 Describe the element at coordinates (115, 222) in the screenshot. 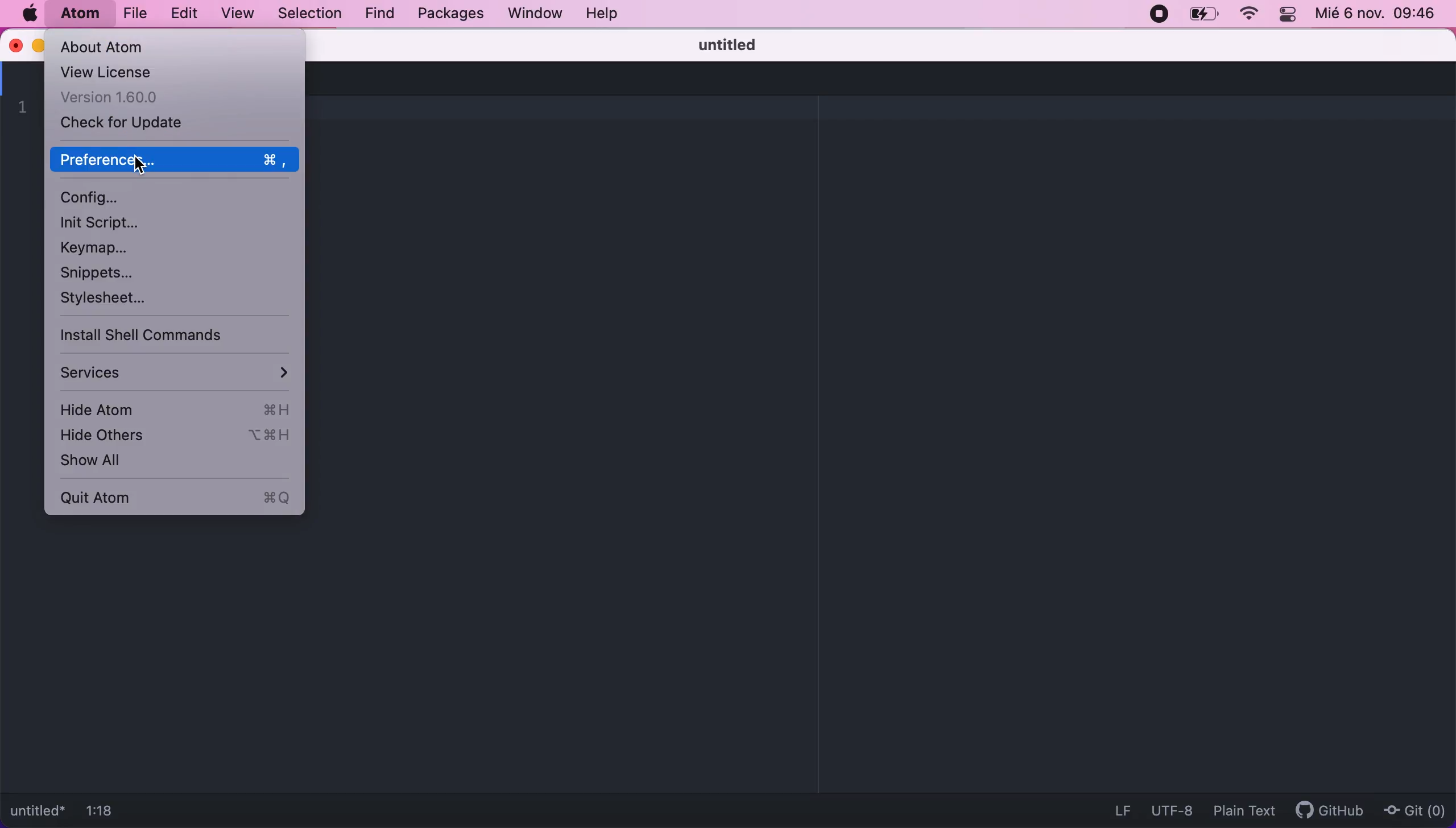

I see `init script` at that location.